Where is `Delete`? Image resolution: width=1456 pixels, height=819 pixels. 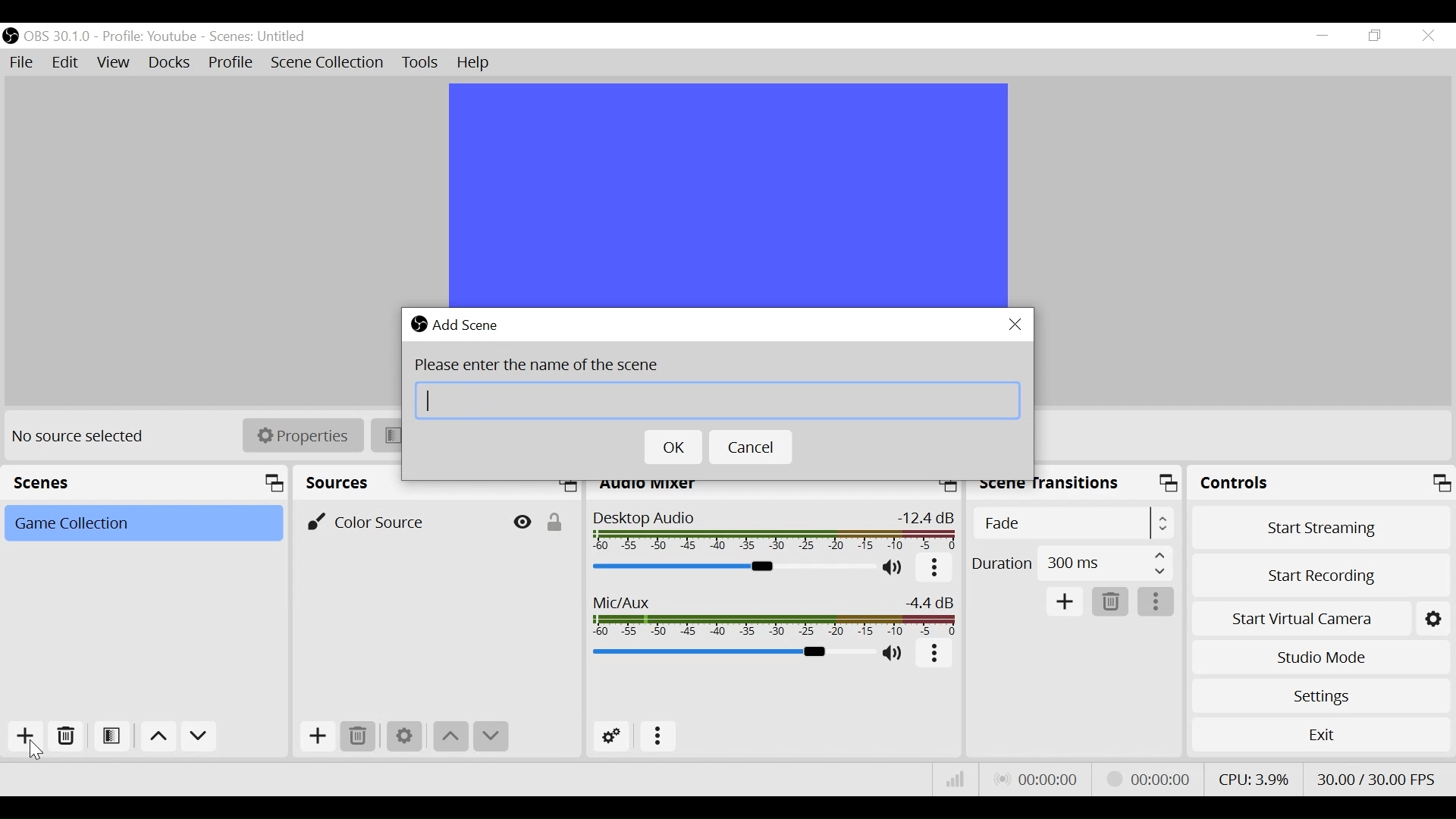
Delete is located at coordinates (1111, 602).